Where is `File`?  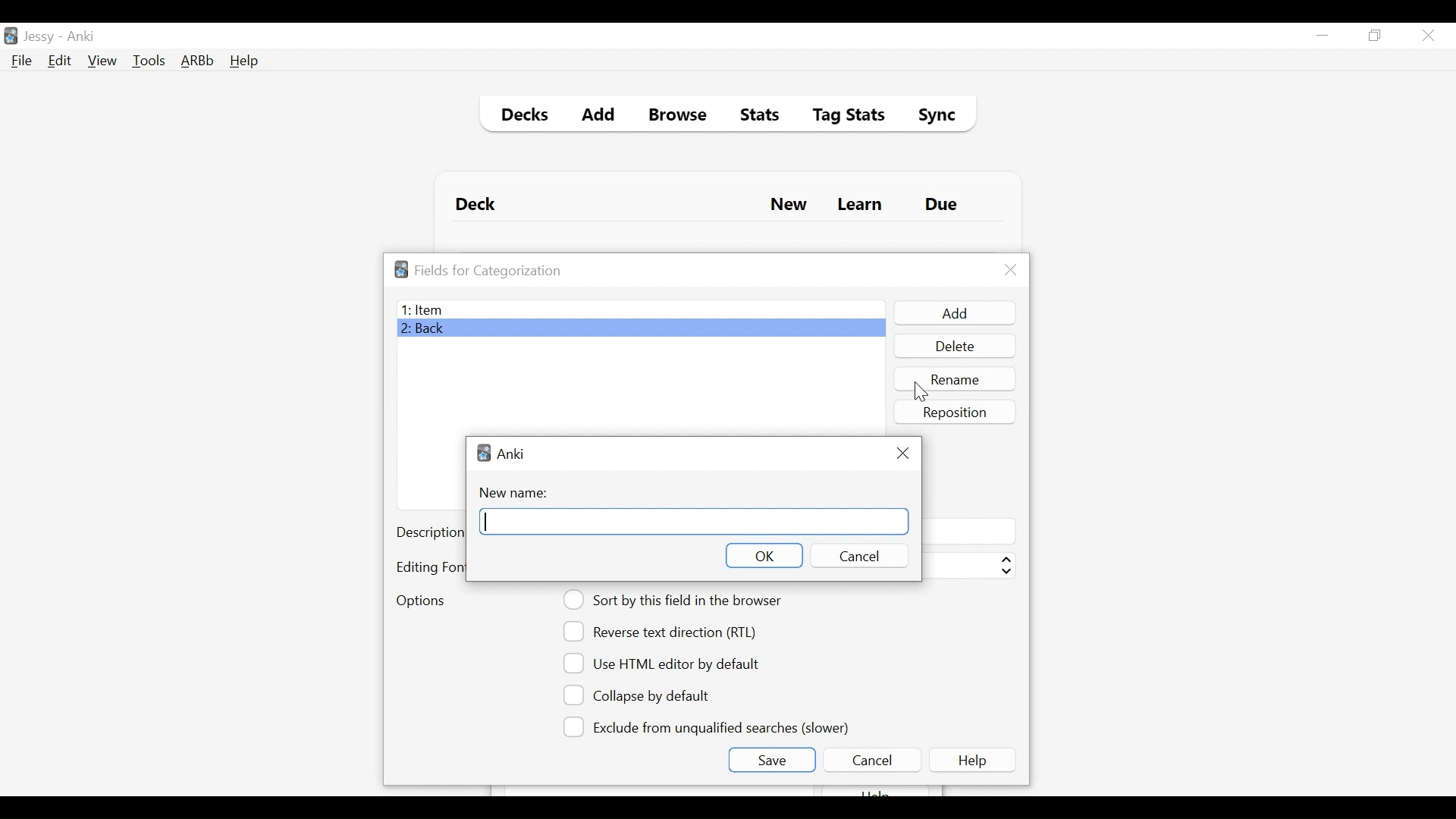 File is located at coordinates (22, 62).